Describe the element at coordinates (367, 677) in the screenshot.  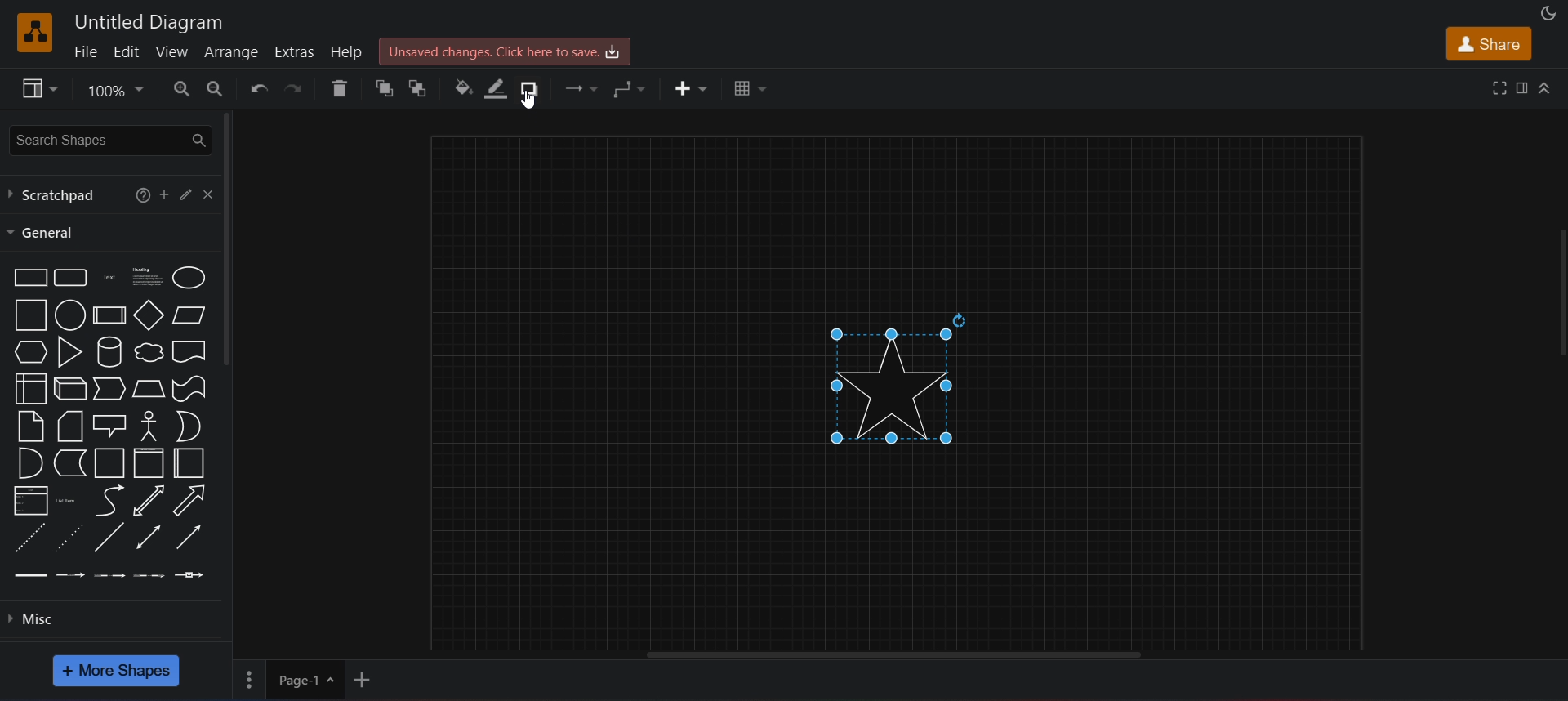
I see `add page` at that location.